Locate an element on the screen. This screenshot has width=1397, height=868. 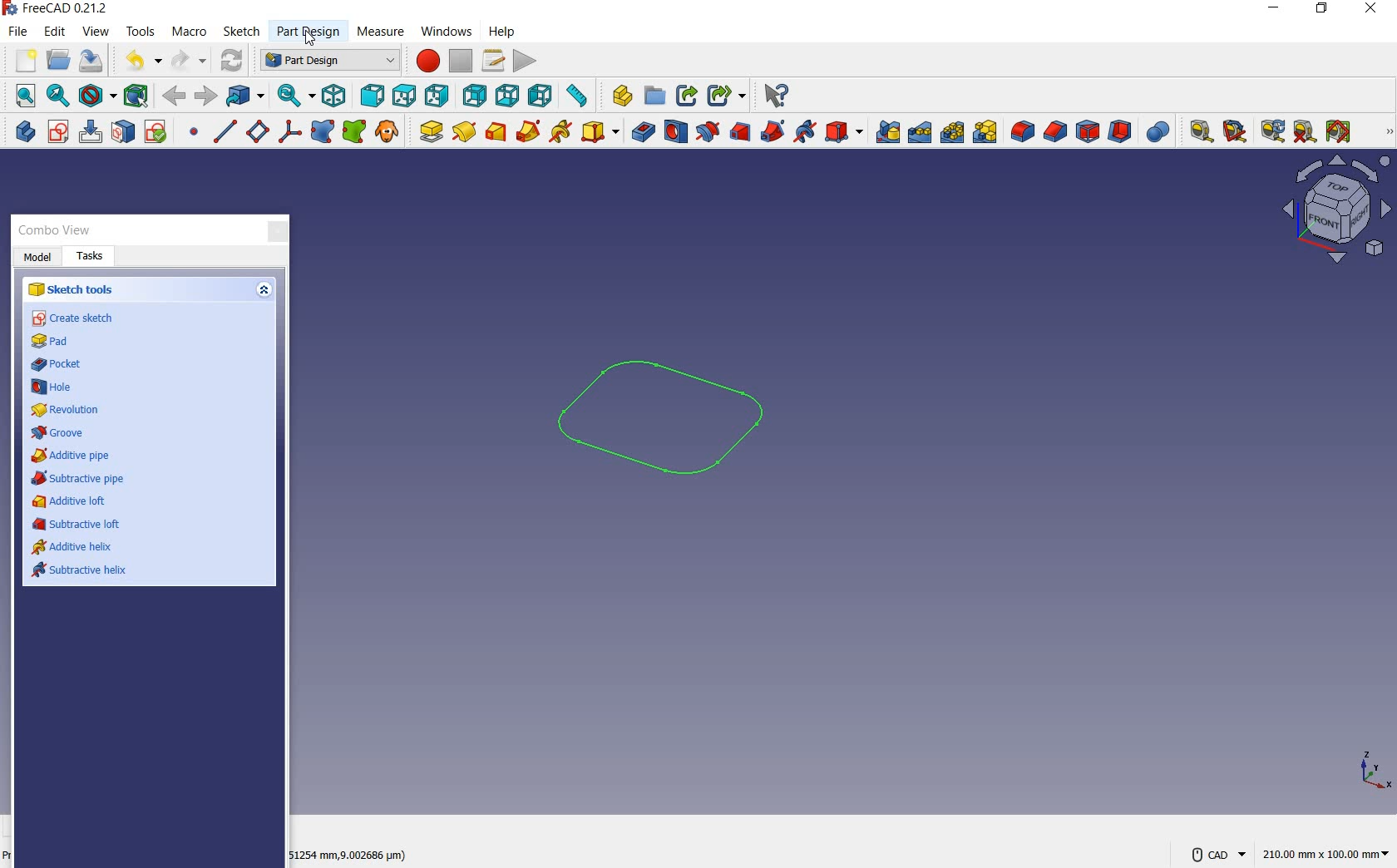
pad is located at coordinates (428, 132).